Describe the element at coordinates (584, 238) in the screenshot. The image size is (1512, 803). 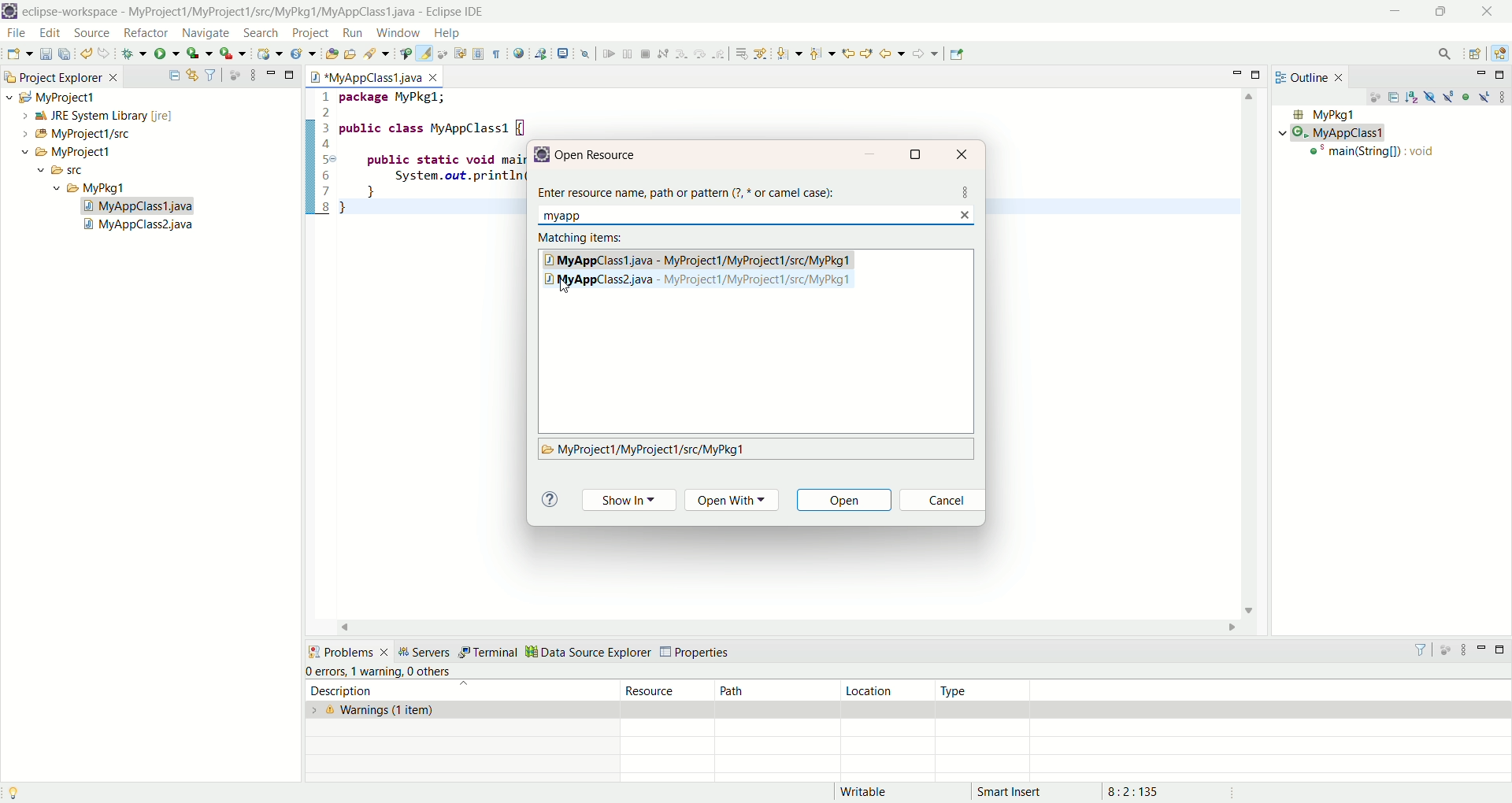
I see `matching items` at that location.